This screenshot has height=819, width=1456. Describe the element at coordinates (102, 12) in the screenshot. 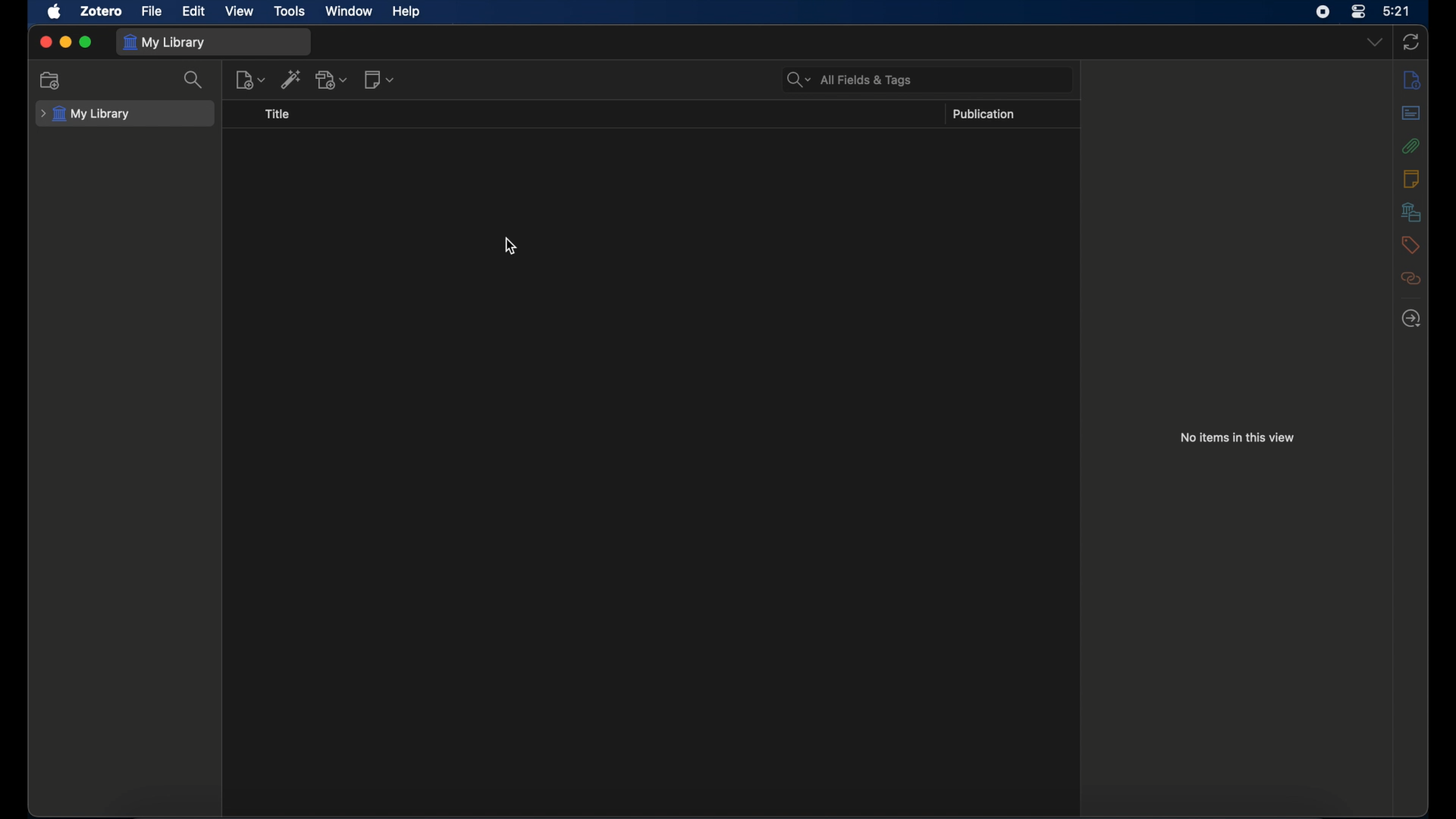

I see `zotero` at that location.